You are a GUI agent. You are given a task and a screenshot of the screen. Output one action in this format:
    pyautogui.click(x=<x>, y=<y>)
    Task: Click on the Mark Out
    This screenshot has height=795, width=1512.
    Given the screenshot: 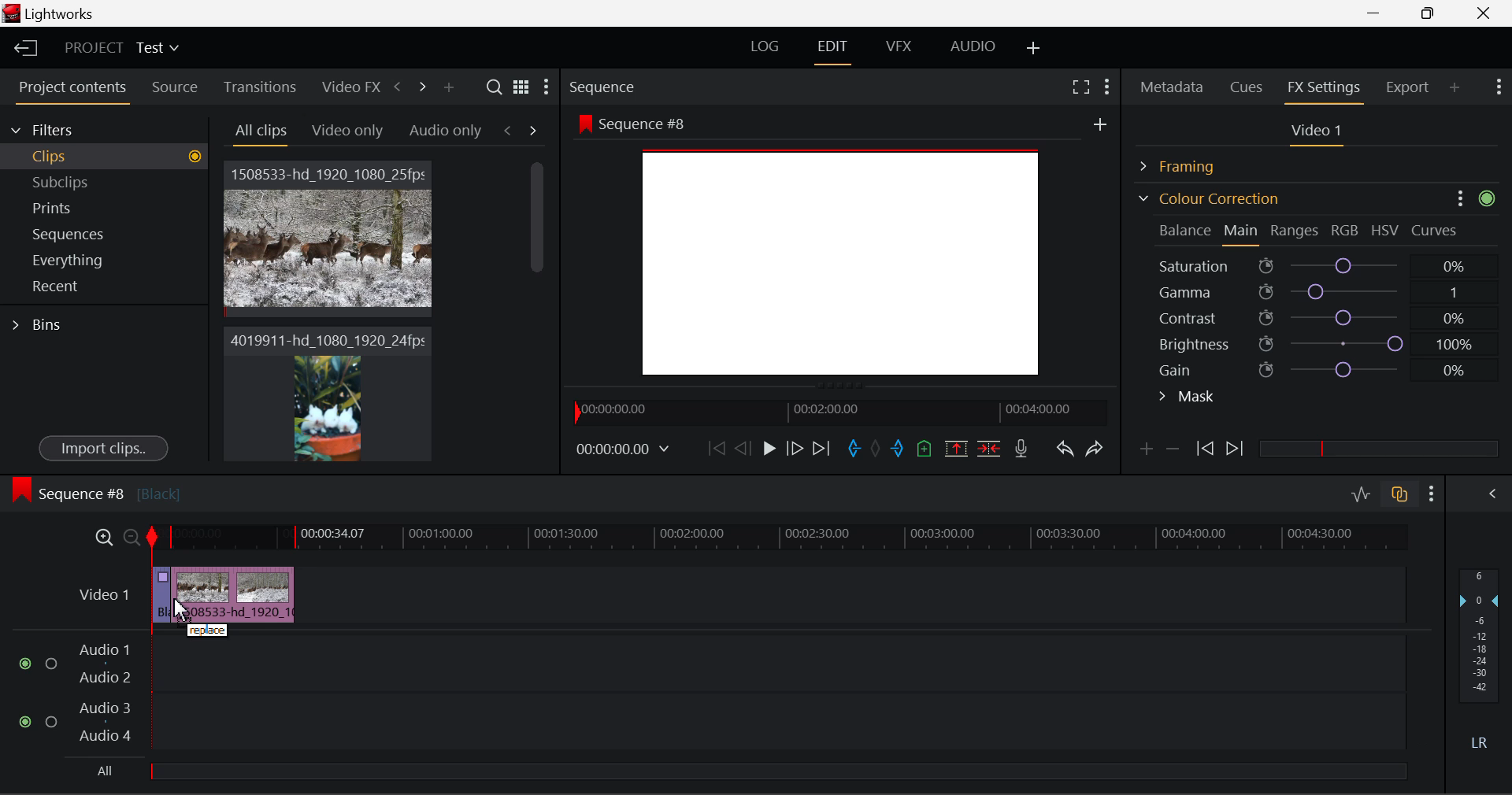 What is the action you would take?
    pyautogui.click(x=899, y=449)
    